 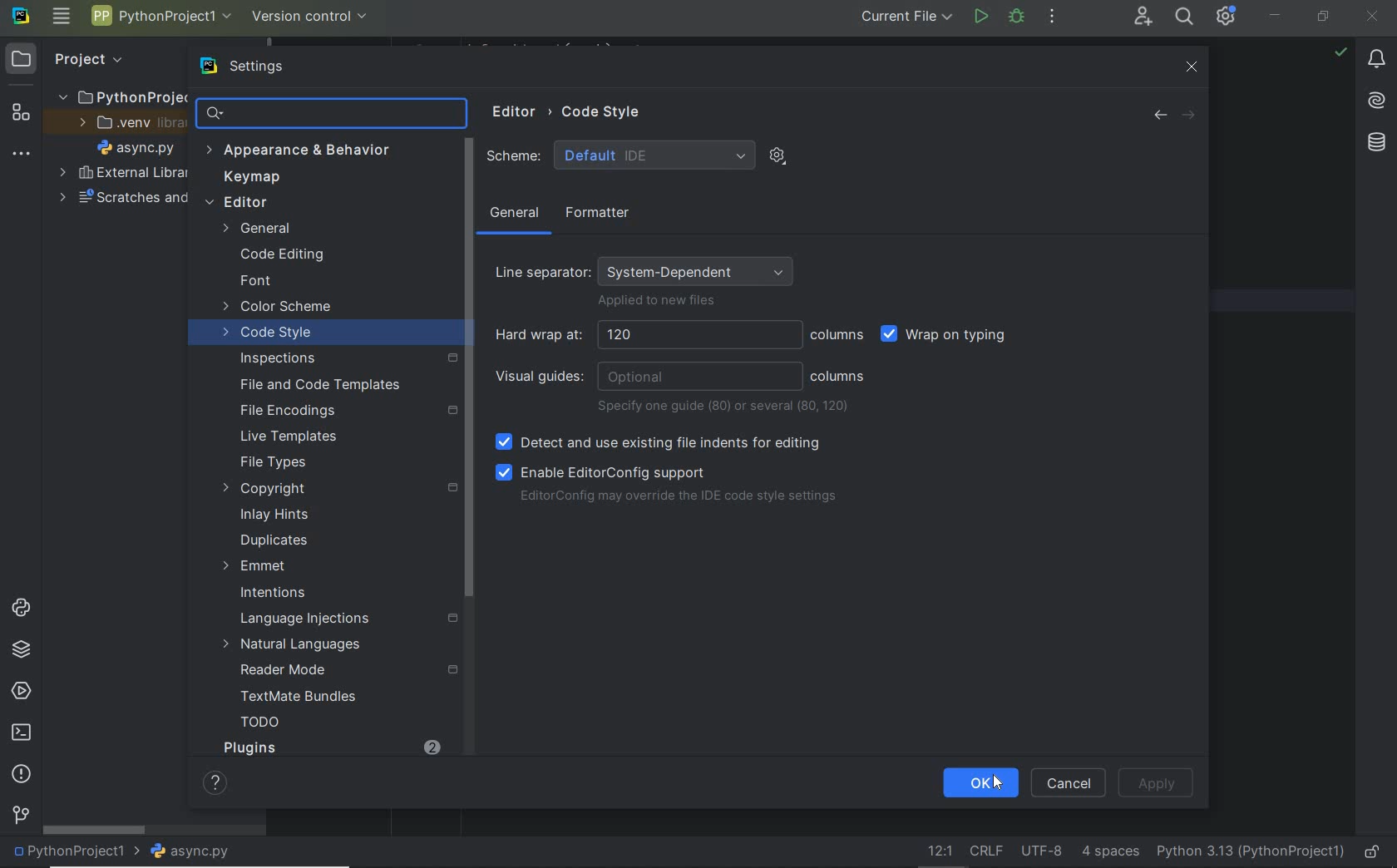 I want to click on Editor, so click(x=510, y=113).